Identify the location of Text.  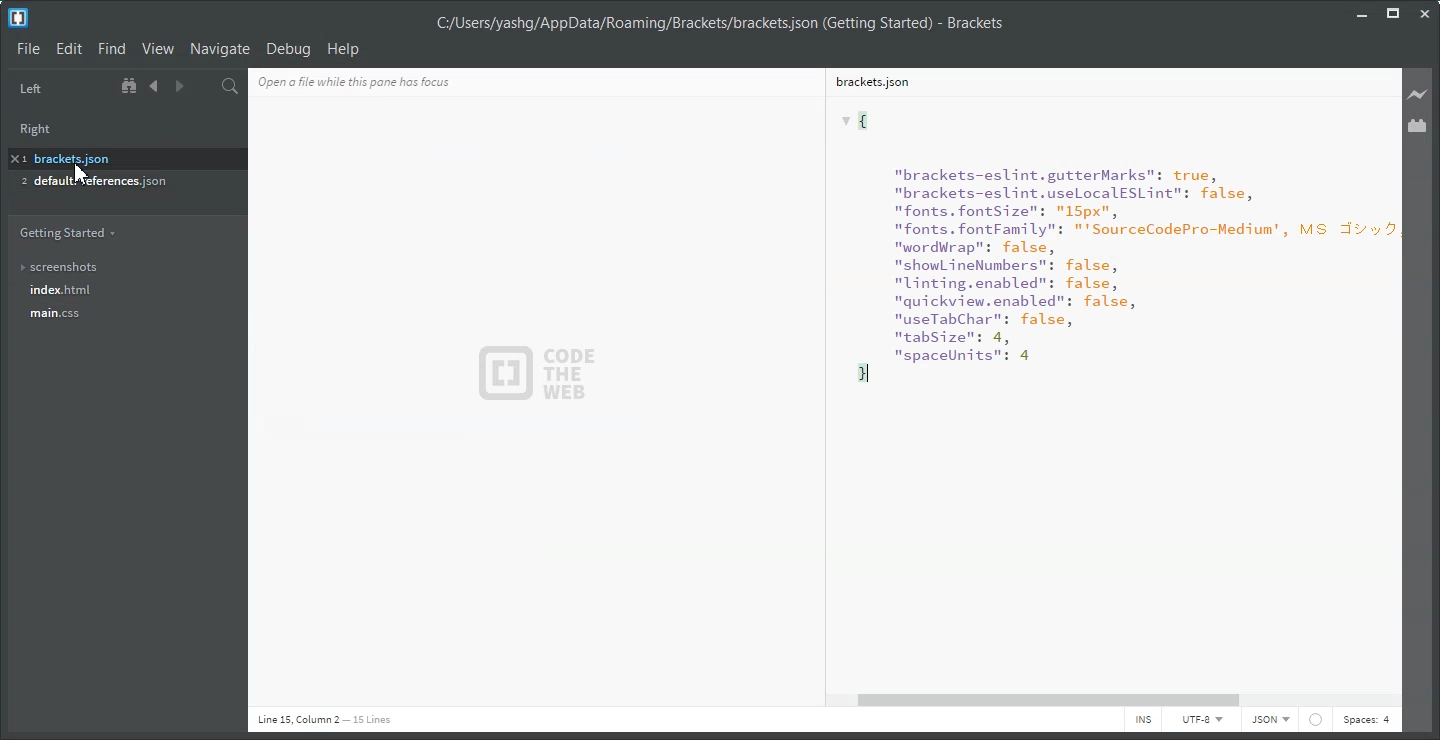
(324, 720).